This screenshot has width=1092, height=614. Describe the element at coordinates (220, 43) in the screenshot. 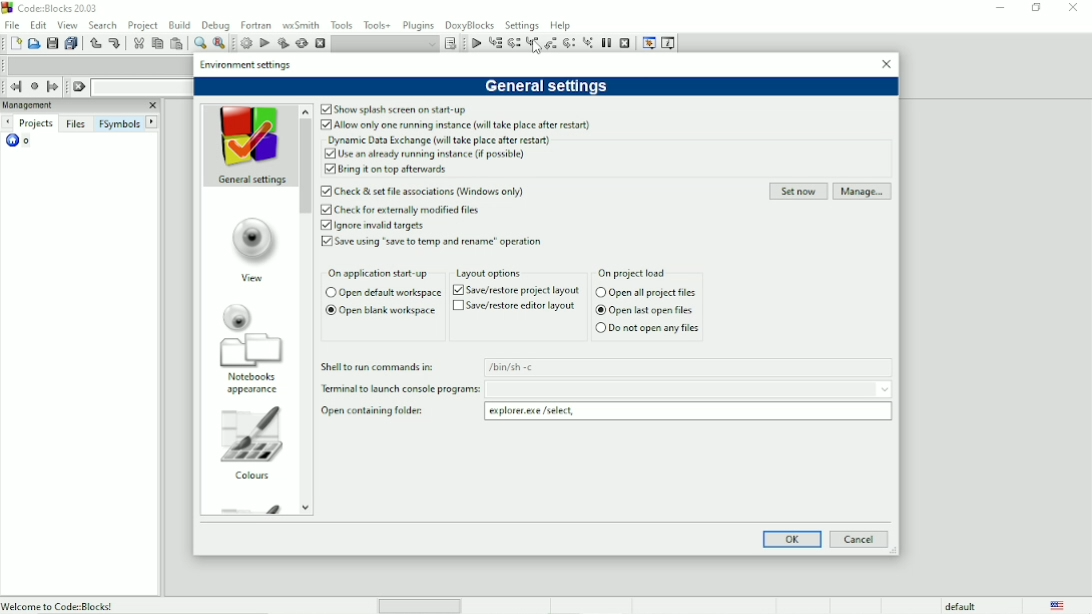

I see `Replace` at that location.